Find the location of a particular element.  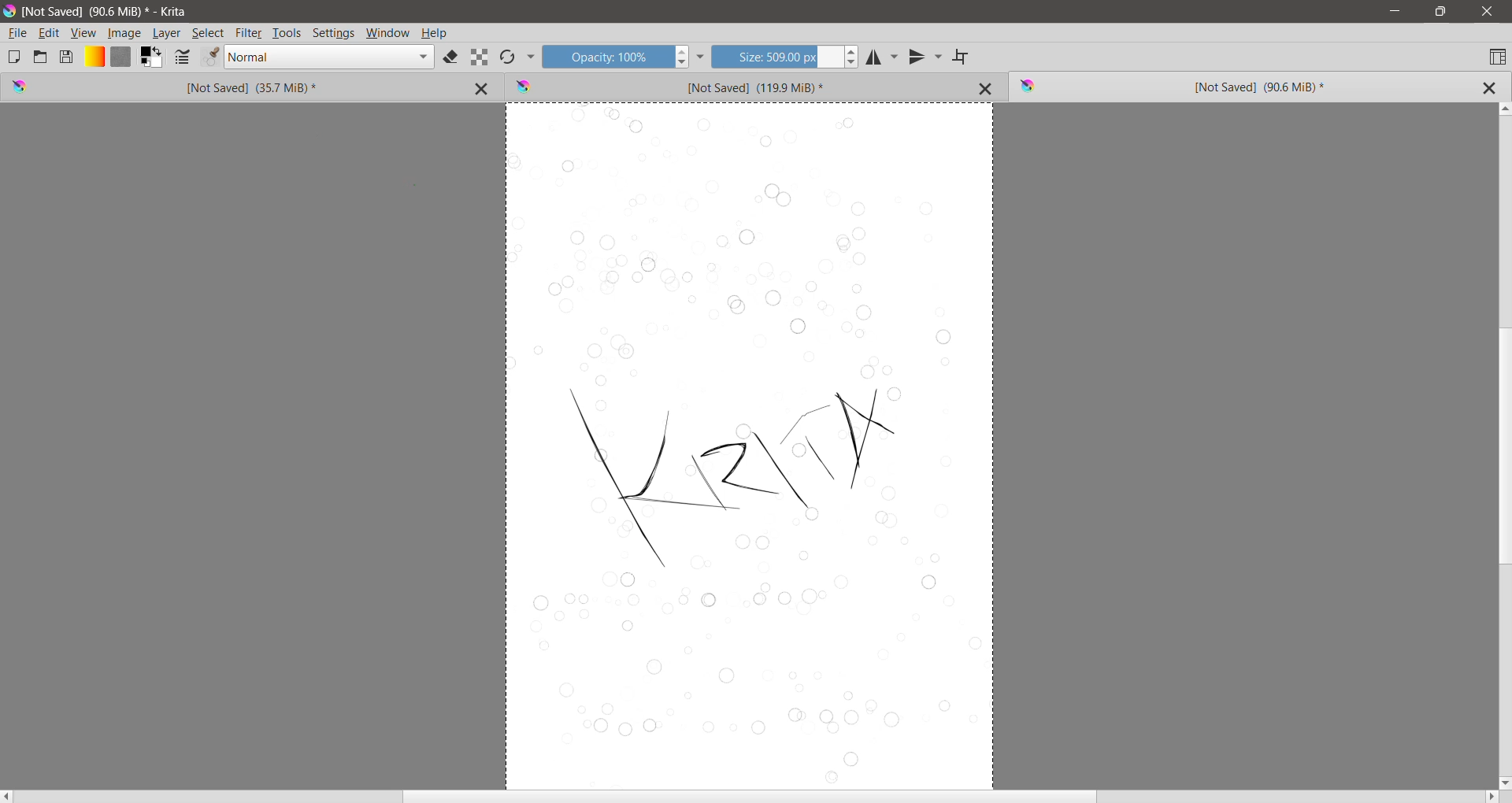

Open an Existing Document is located at coordinates (40, 56).